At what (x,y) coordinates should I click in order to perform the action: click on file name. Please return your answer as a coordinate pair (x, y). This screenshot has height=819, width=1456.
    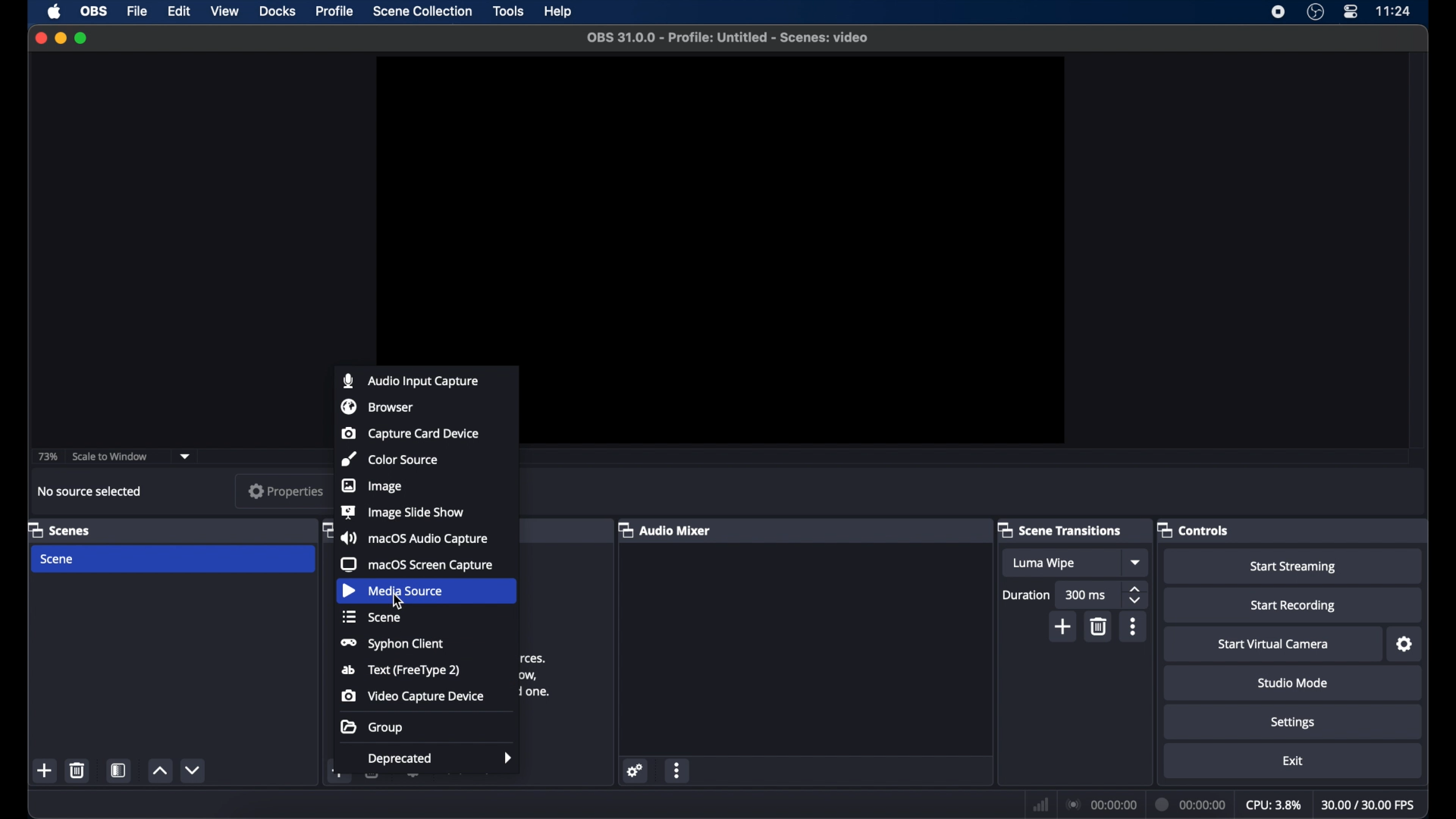
    Looking at the image, I should click on (727, 38).